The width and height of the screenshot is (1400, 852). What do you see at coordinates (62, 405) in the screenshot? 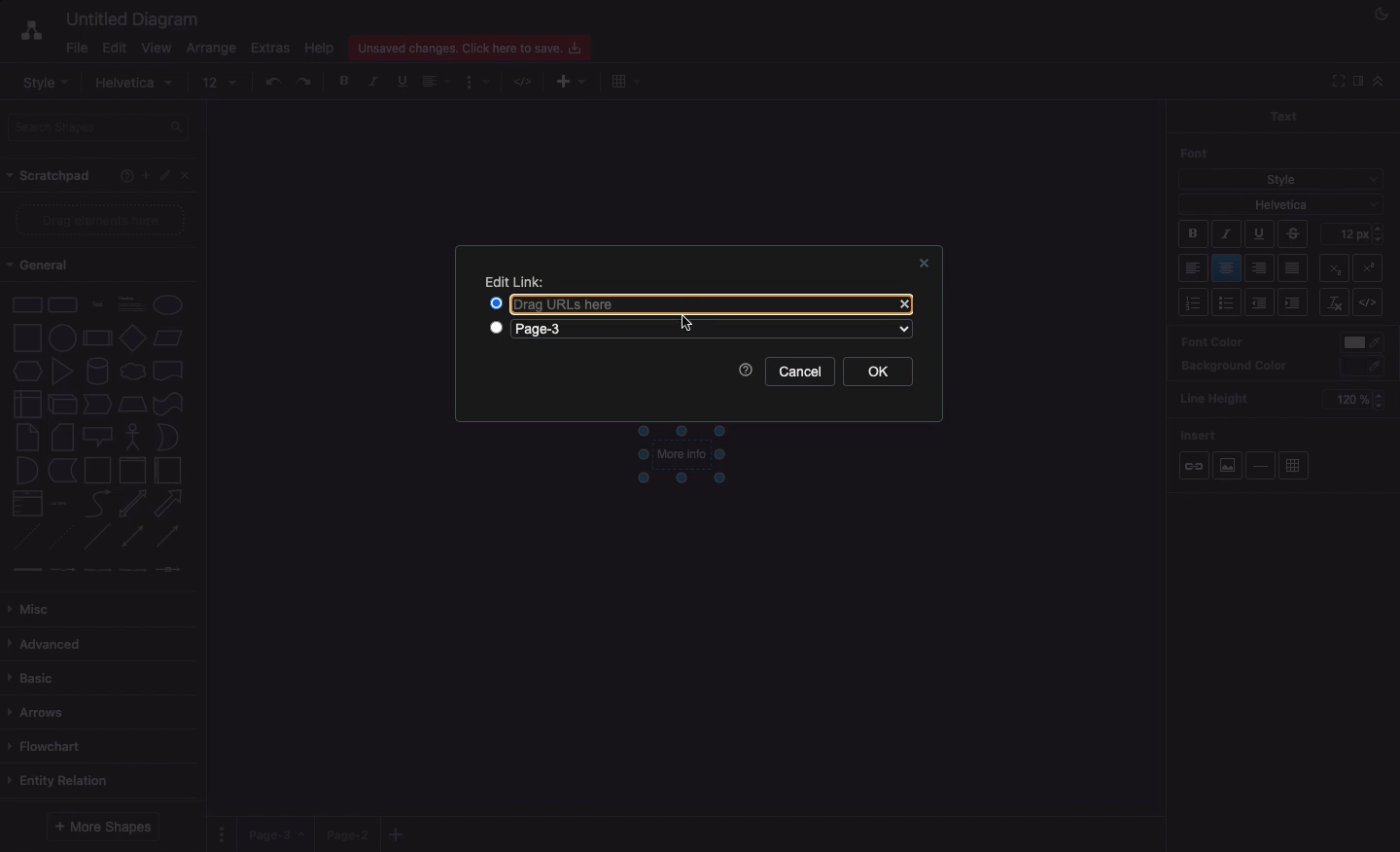
I see `cube` at bounding box center [62, 405].